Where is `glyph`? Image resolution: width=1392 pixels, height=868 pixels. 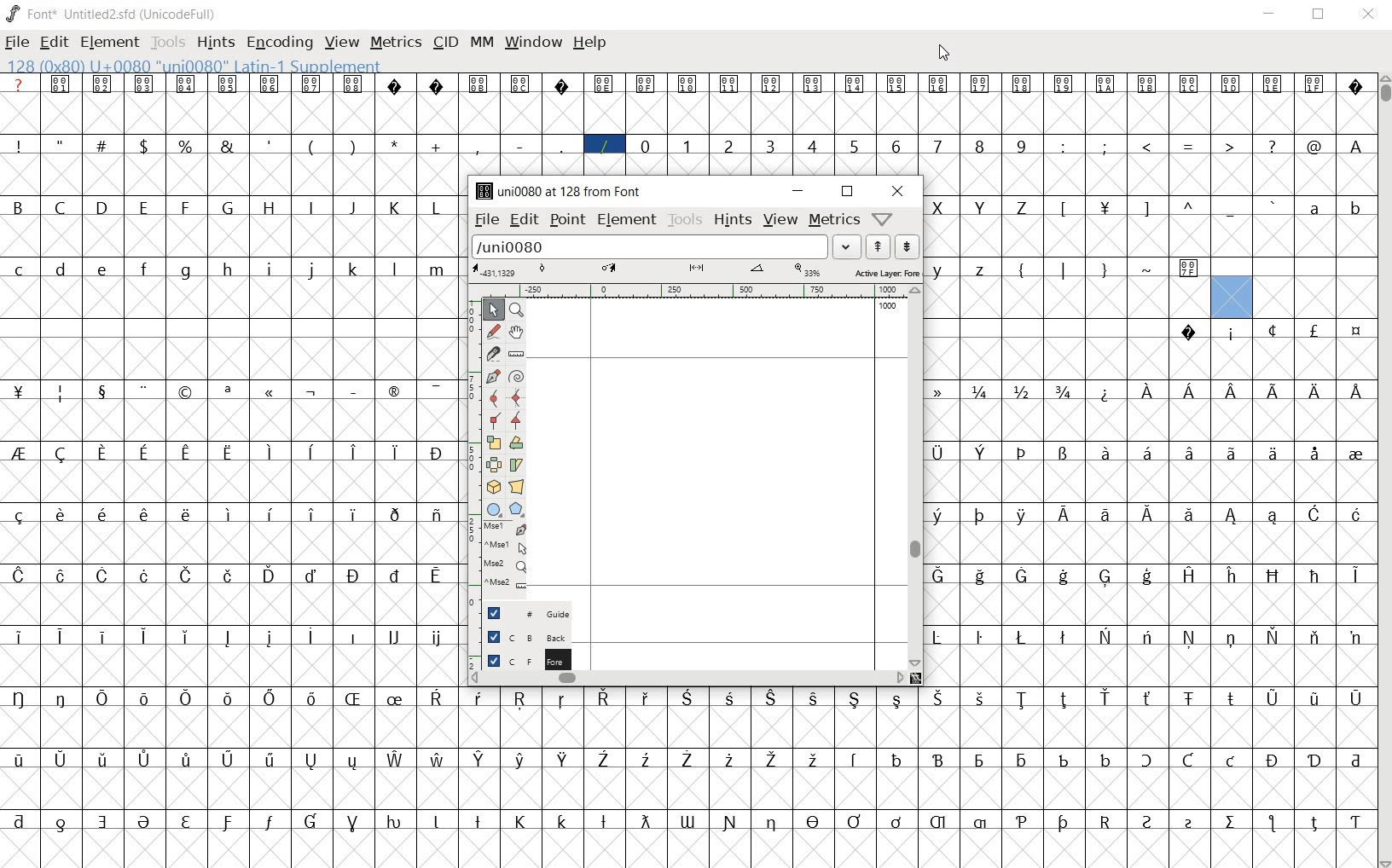
glyph is located at coordinates (645, 146).